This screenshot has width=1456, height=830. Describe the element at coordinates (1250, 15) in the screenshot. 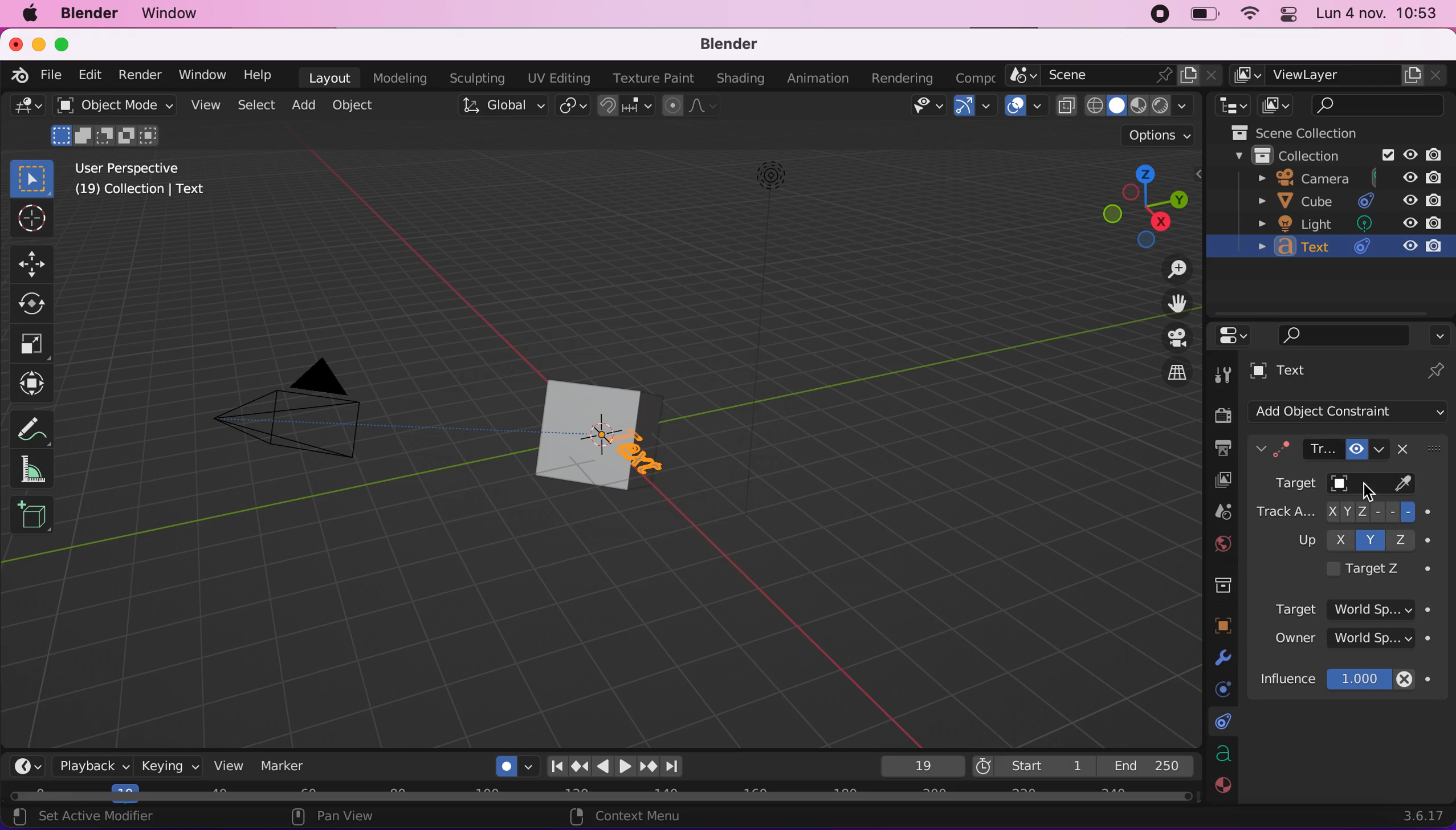

I see `wifi` at that location.